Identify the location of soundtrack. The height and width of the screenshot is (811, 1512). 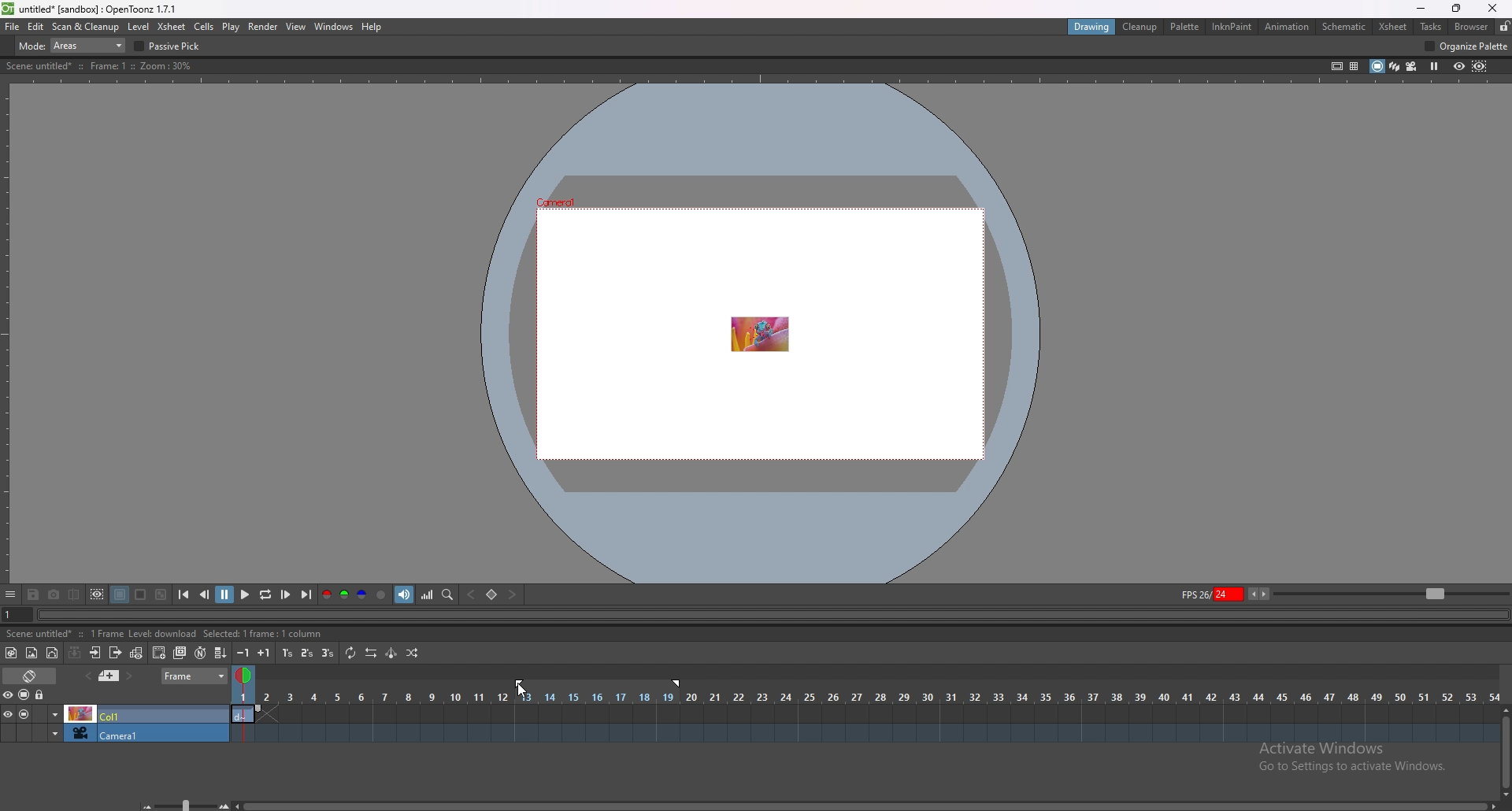
(404, 594).